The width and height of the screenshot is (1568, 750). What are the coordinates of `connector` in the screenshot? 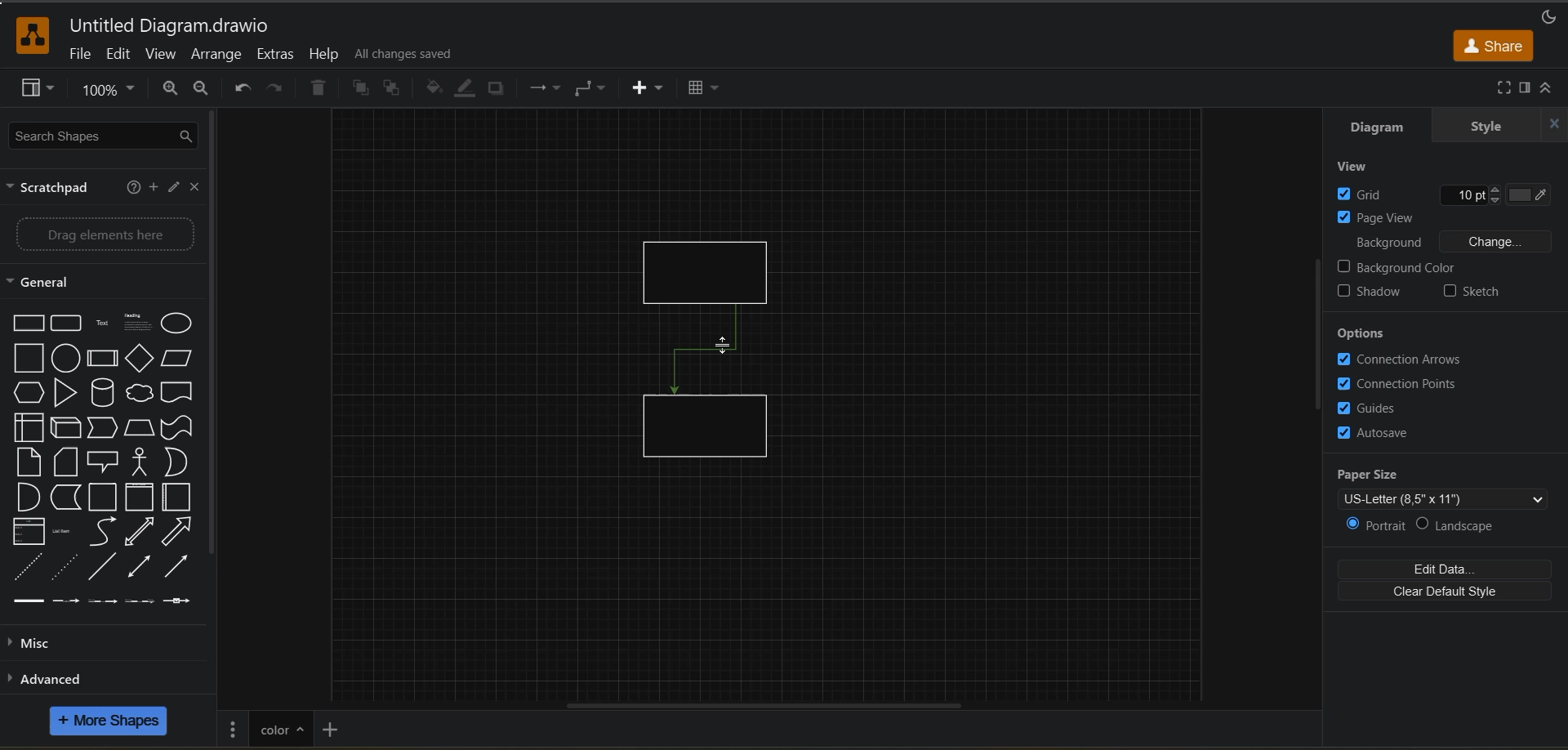 It's located at (706, 350).